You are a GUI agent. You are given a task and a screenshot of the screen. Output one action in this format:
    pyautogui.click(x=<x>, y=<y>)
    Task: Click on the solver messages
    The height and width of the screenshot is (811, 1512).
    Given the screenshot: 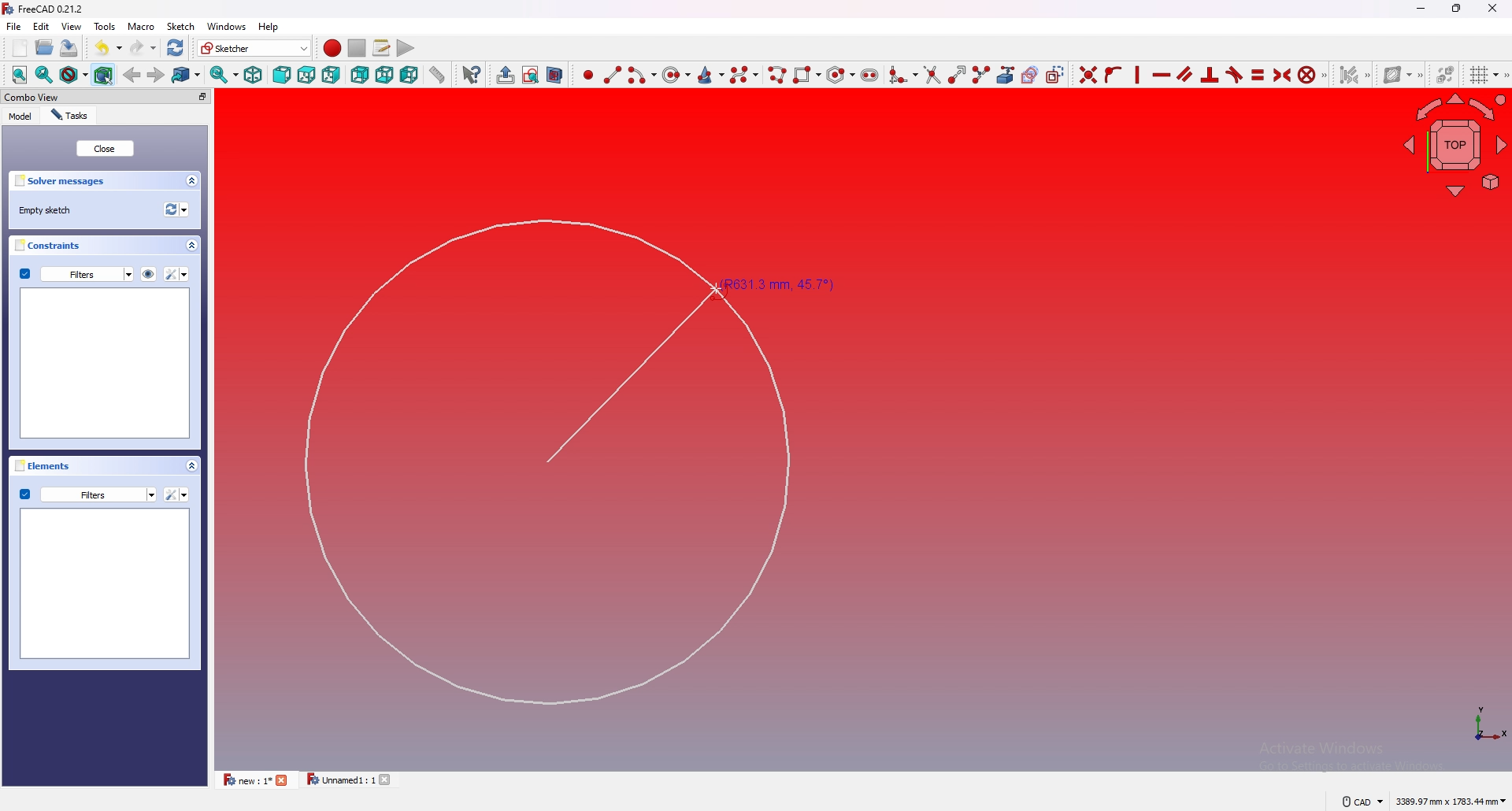 What is the action you would take?
    pyautogui.click(x=66, y=181)
    